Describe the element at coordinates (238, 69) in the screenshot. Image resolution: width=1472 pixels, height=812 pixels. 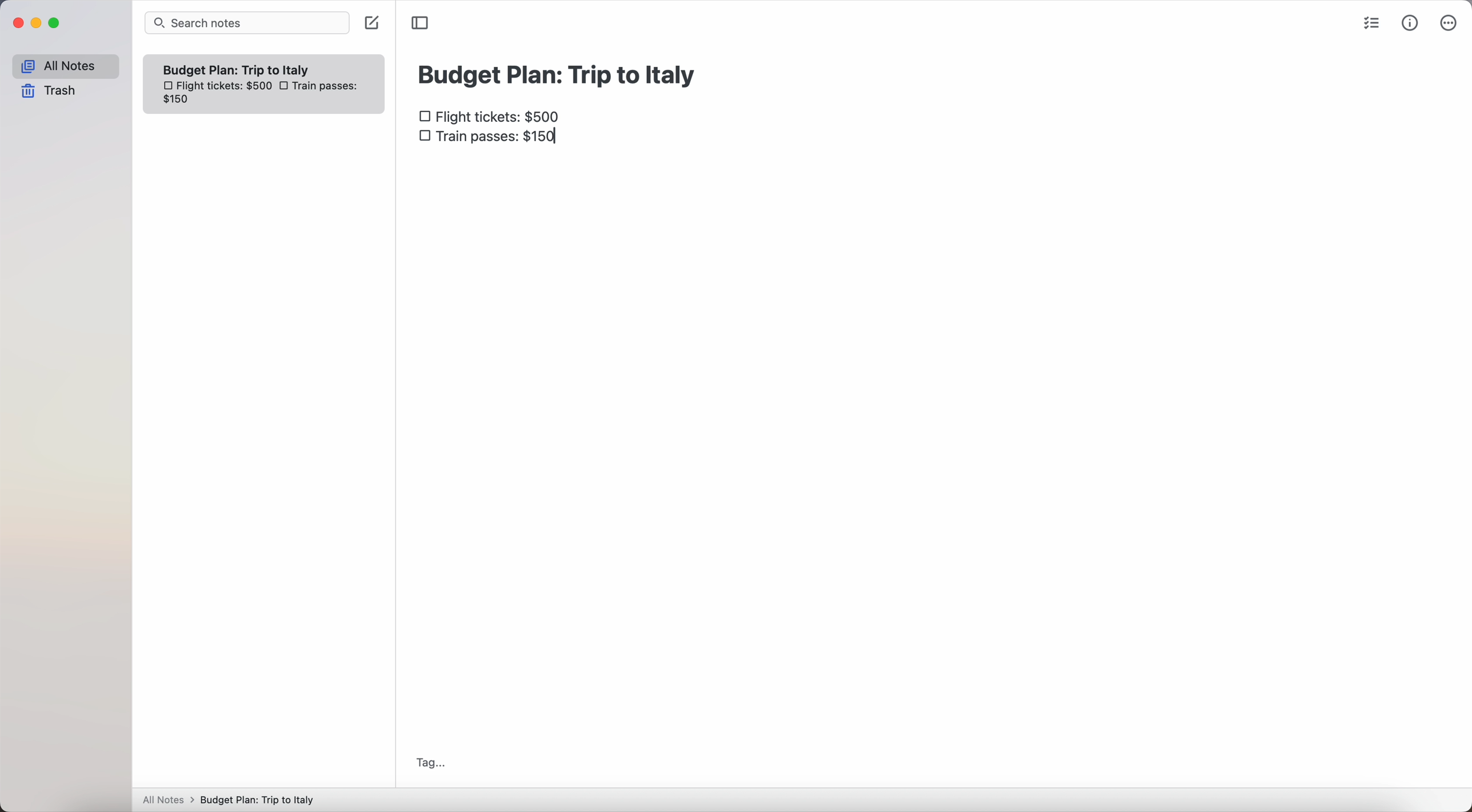
I see `Budget plan trip to Italy note` at that location.